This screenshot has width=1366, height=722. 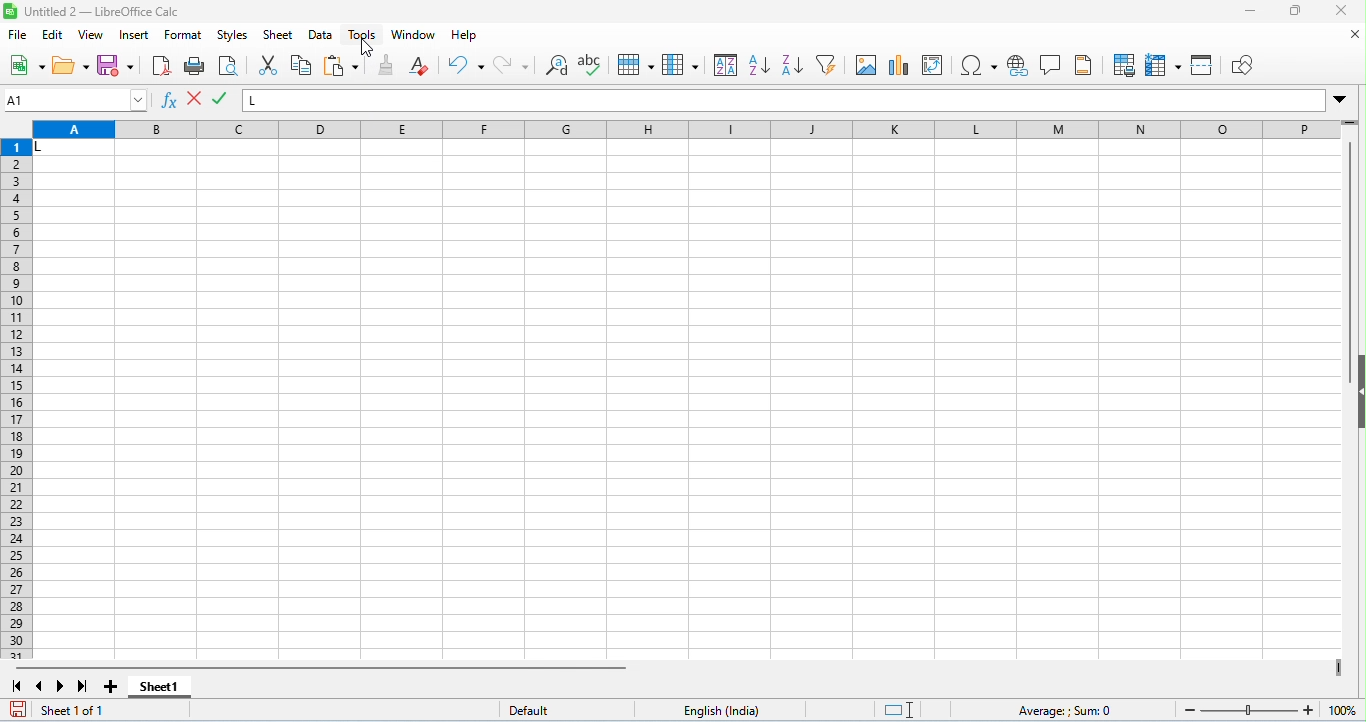 I want to click on filter, so click(x=827, y=64).